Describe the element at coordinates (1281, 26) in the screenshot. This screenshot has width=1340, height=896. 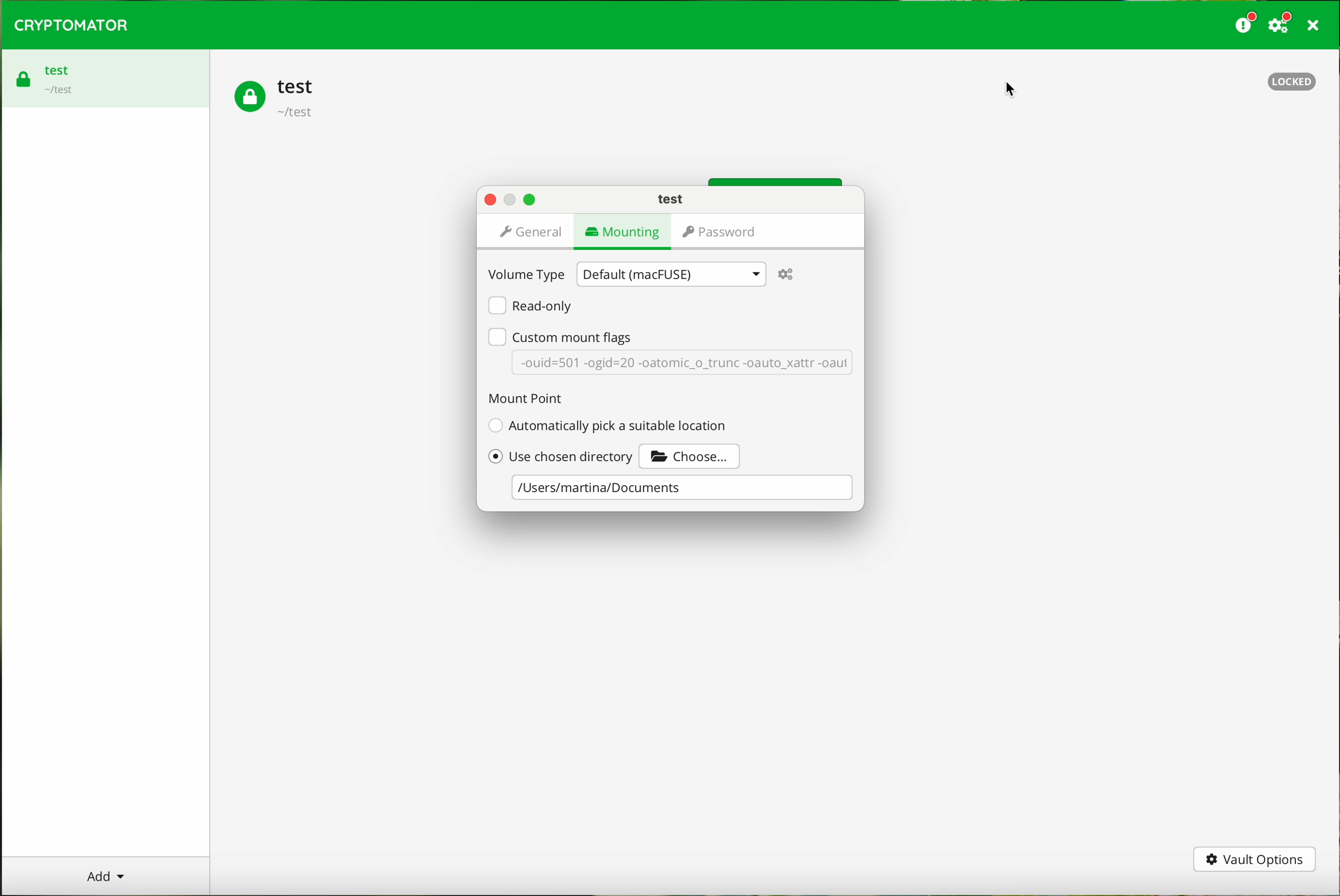
I see `settings` at that location.